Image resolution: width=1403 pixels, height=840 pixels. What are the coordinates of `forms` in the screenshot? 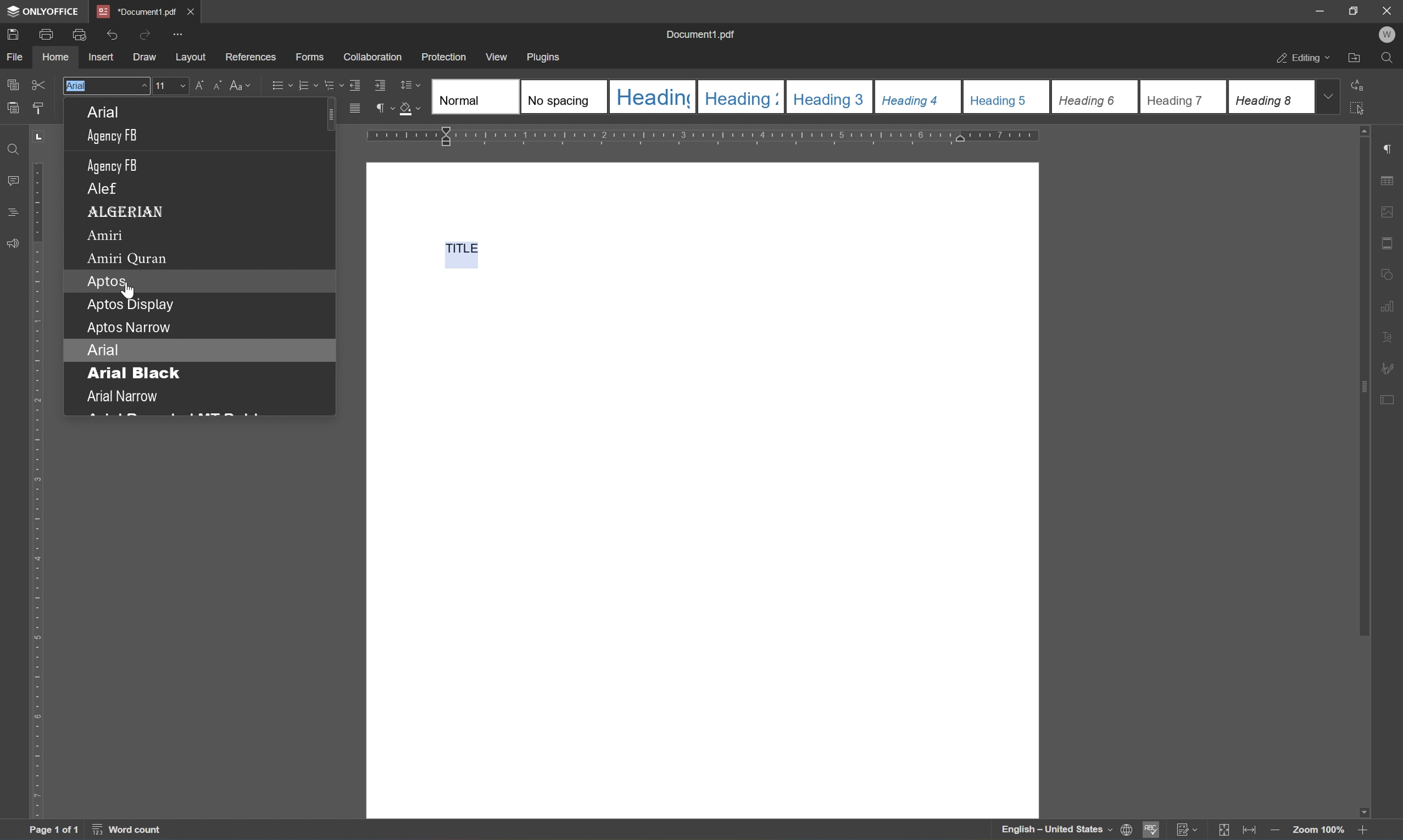 It's located at (311, 57).